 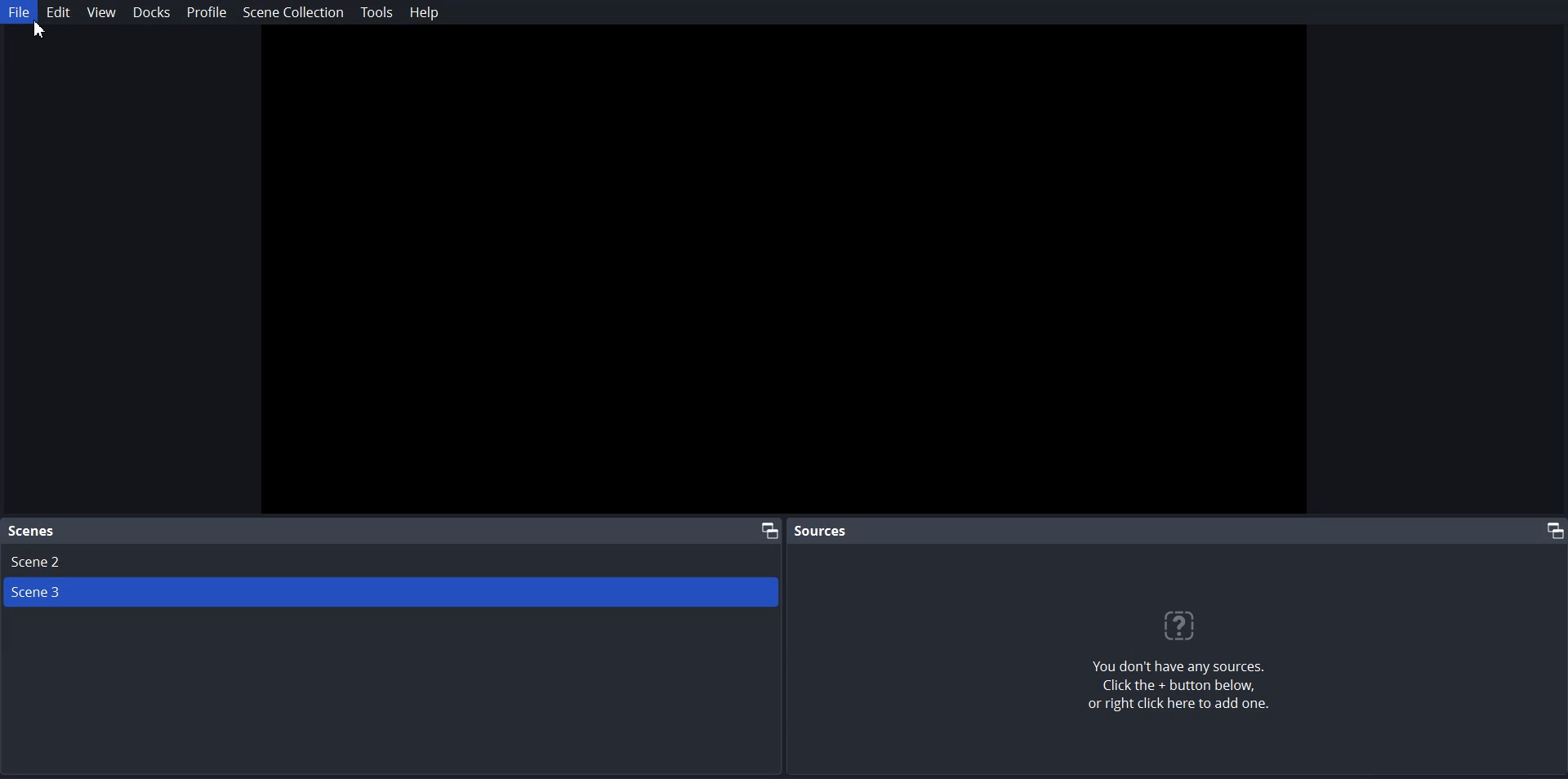 I want to click on You don’t have any sources.
Click the + button below,
or right click here to add one., so click(x=1188, y=689).